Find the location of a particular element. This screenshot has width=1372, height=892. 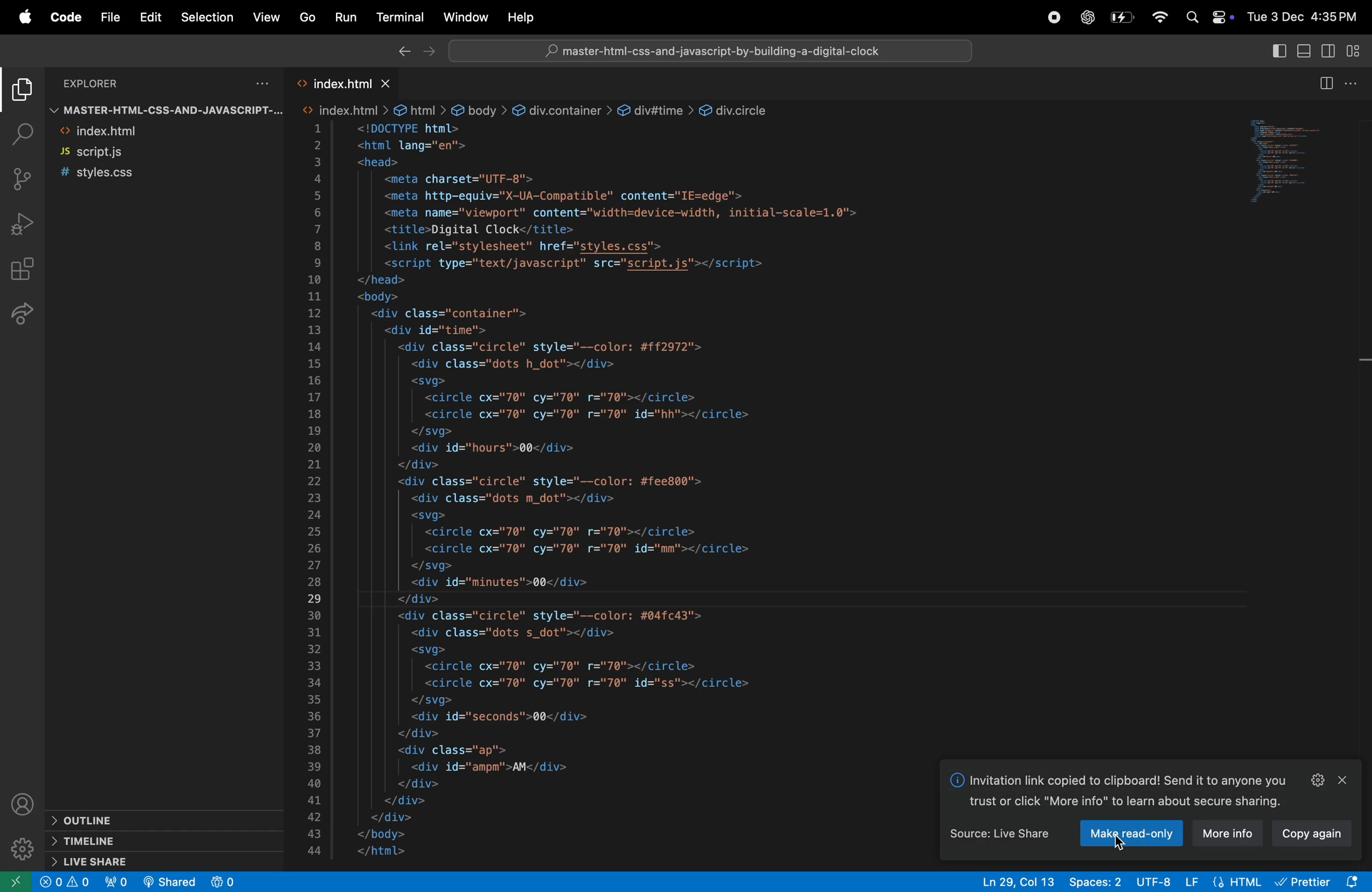

options is located at coordinates (259, 80).